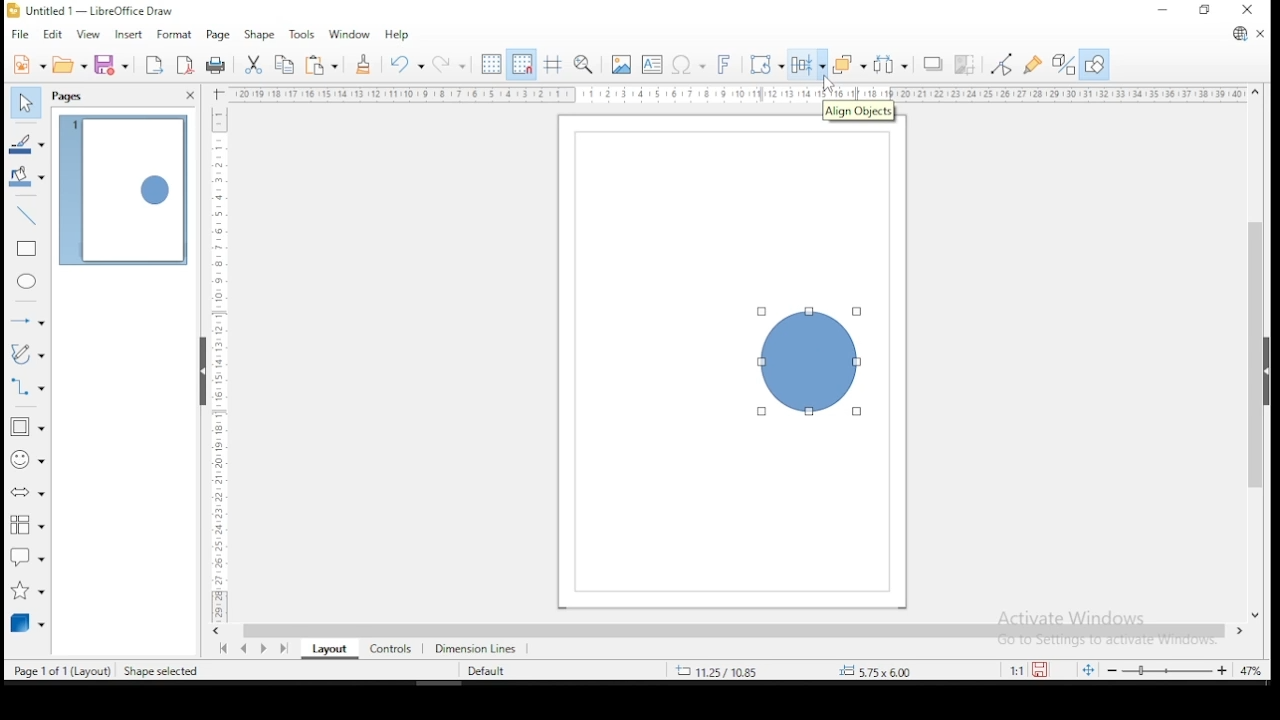 The width and height of the screenshot is (1280, 720). What do you see at coordinates (25, 385) in the screenshot?
I see `connectors` at bounding box center [25, 385].